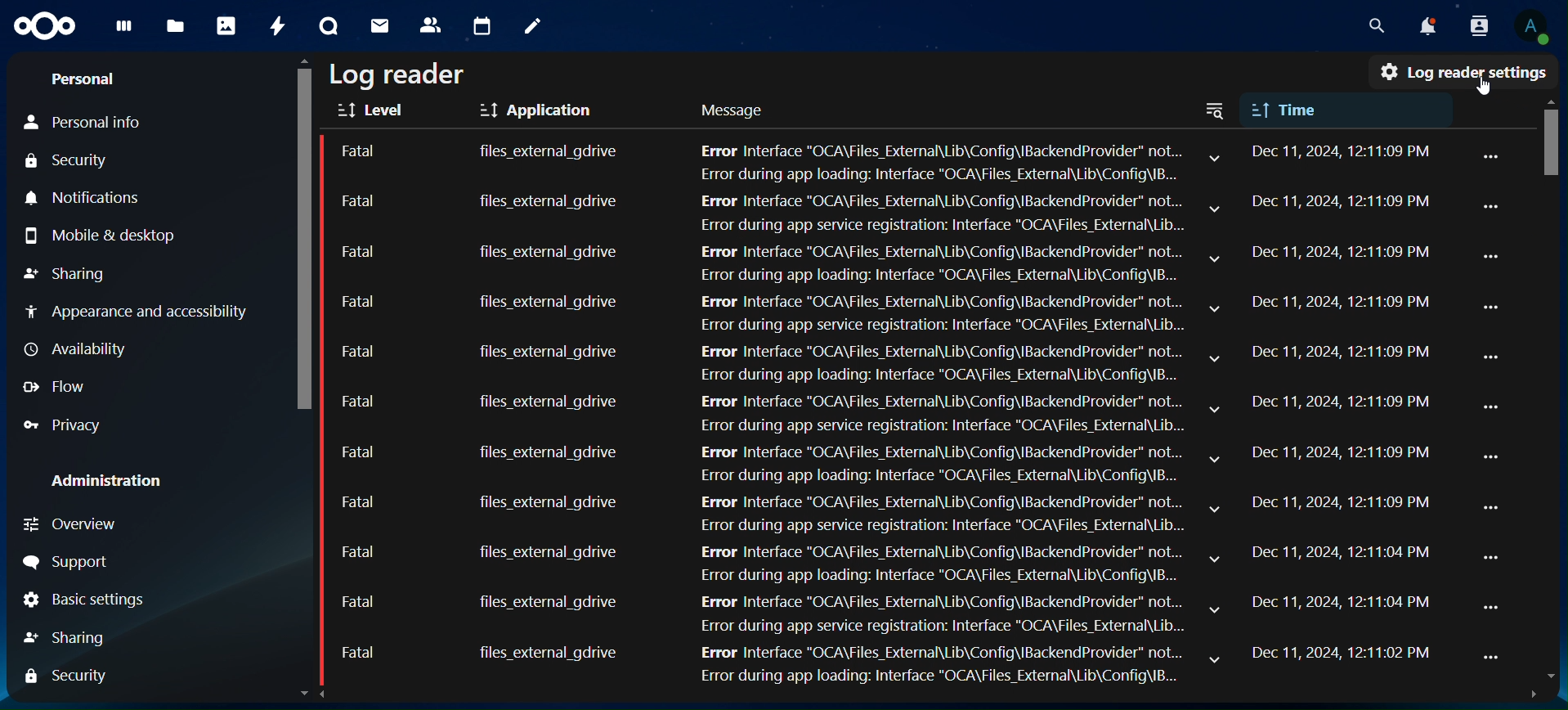 The width and height of the screenshot is (1568, 710). I want to click on security, so click(65, 679).